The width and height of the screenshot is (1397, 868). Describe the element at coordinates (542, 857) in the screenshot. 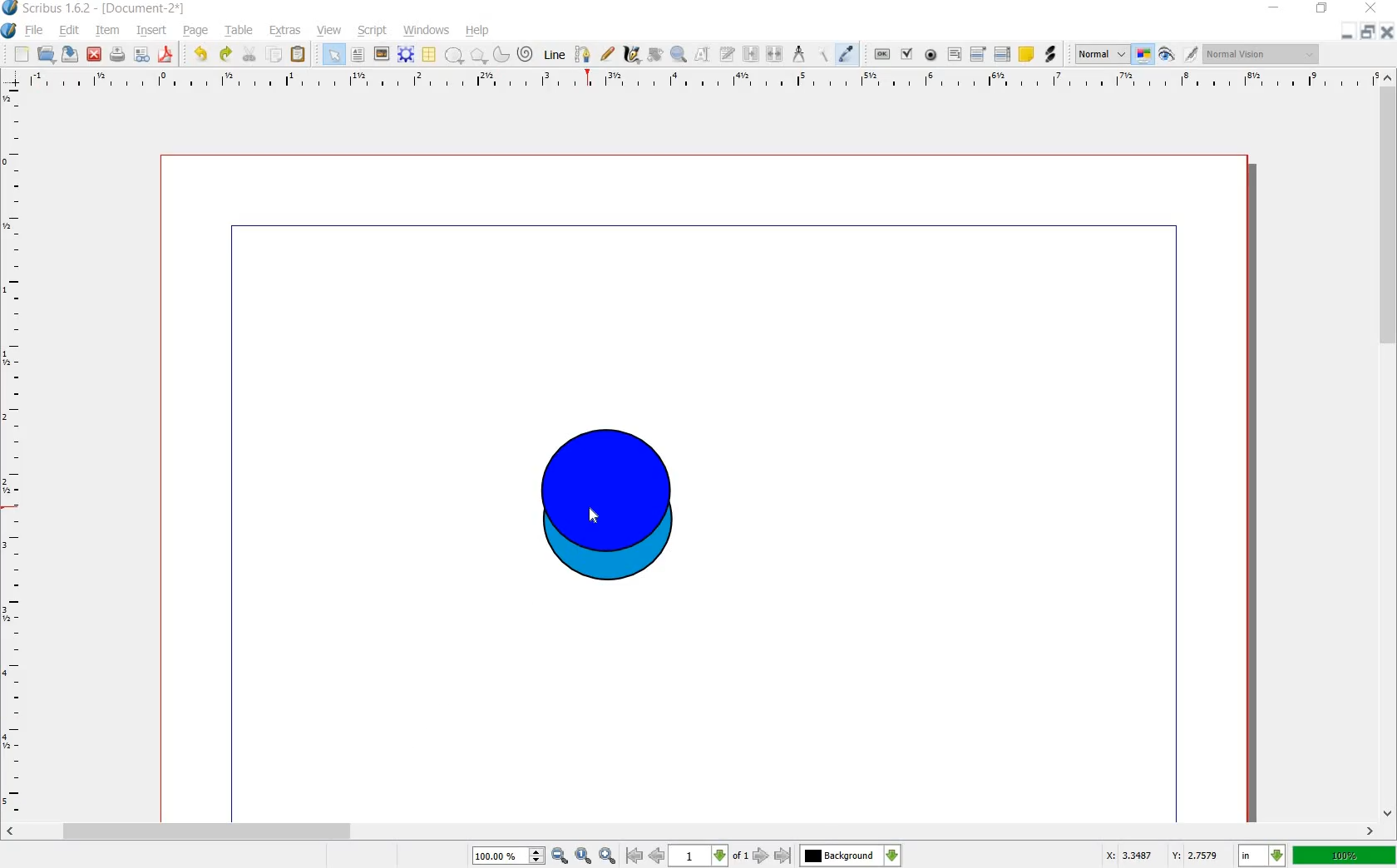

I see `zoom out ,to or in` at that location.